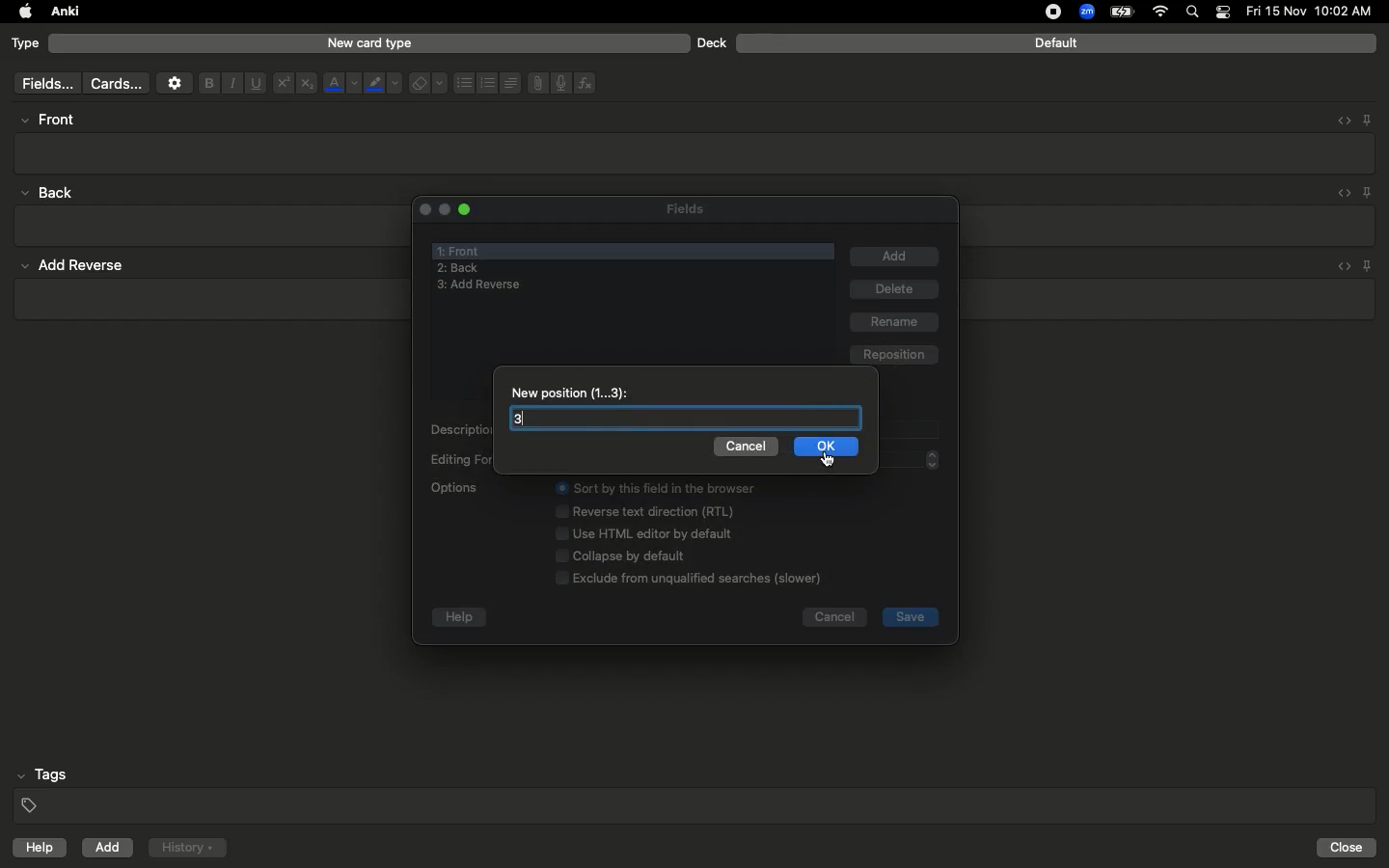 The image size is (1389, 868). What do you see at coordinates (1315, 11) in the screenshot?
I see `date and time` at bounding box center [1315, 11].